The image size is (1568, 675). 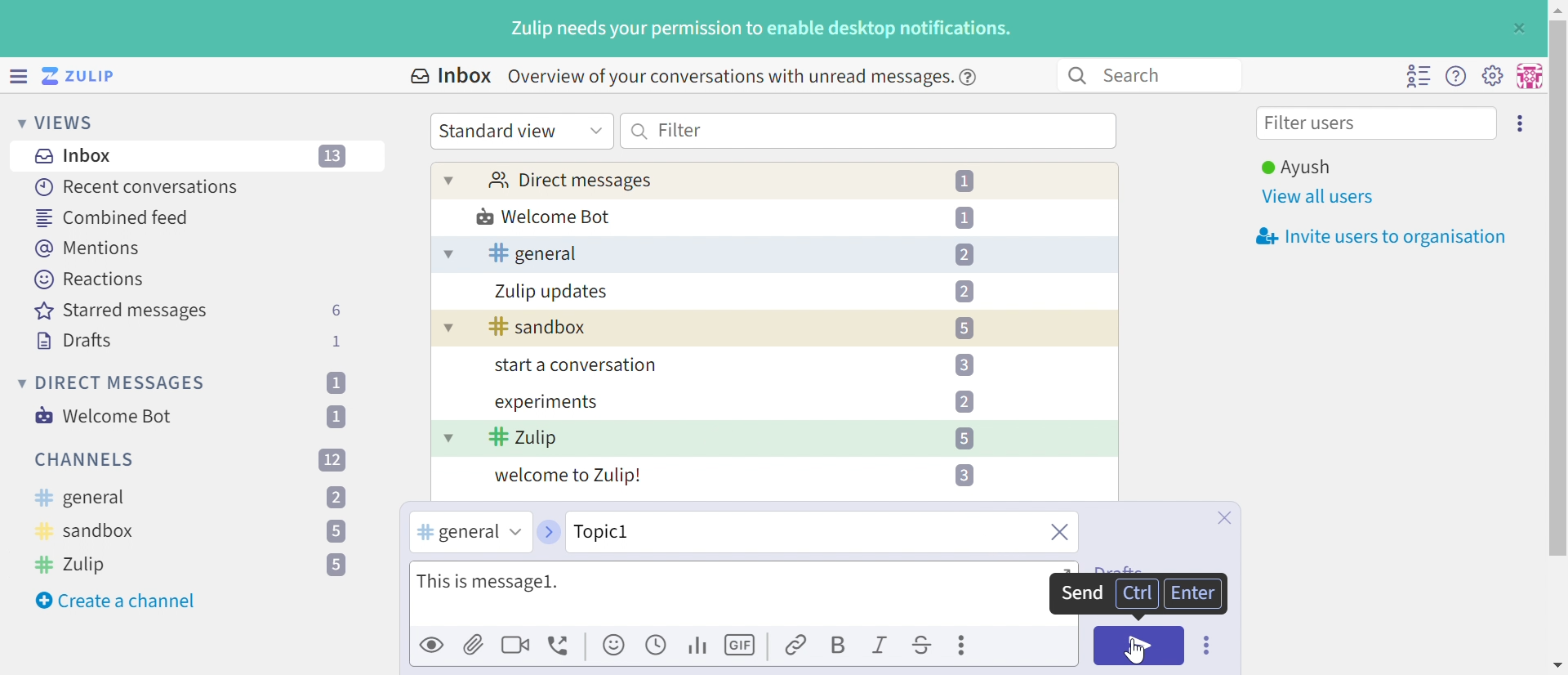 What do you see at coordinates (1076, 76) in the screenshot?
I see `Search` at bounding box center [1076, 76].